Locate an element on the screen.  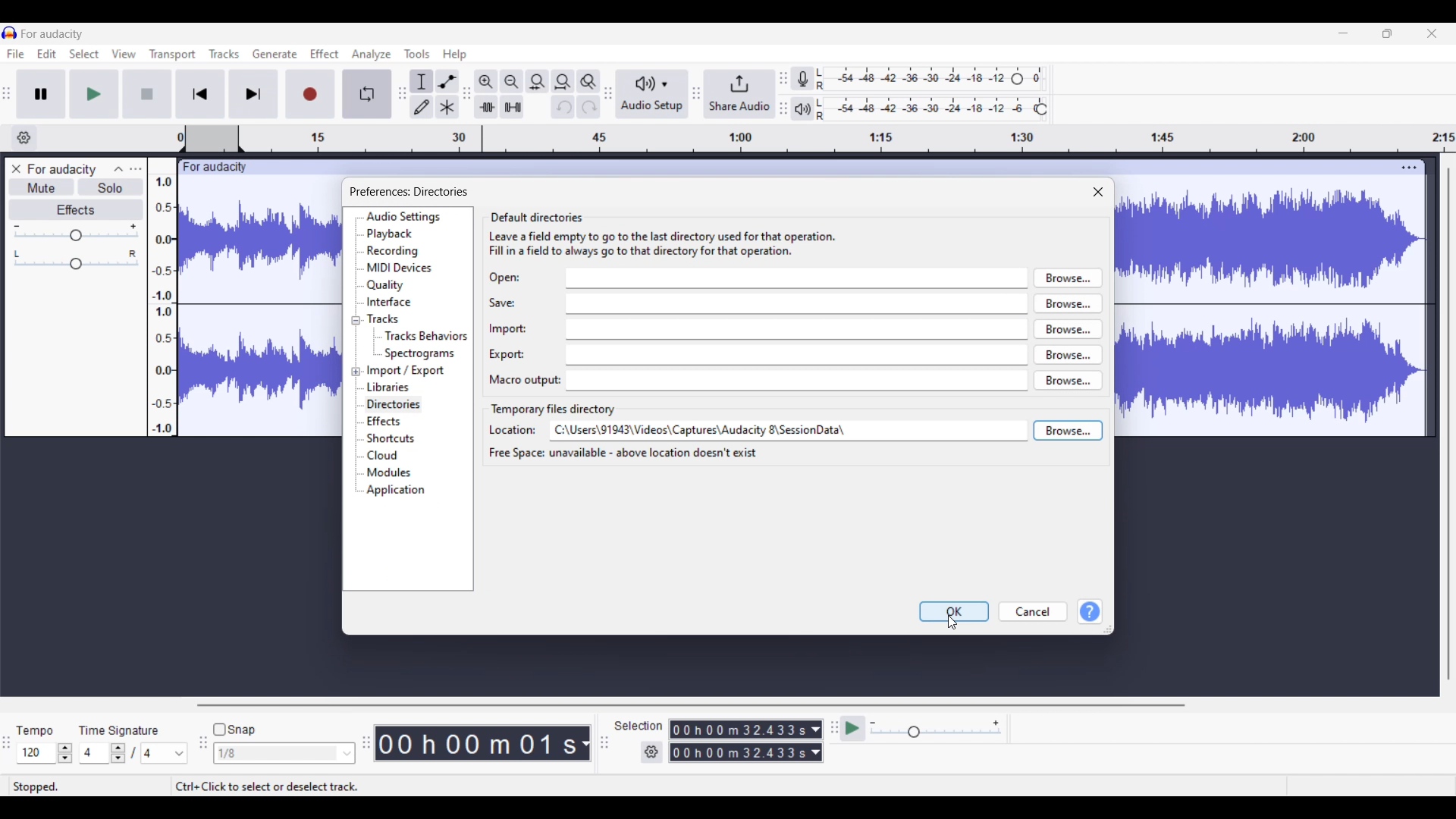
Indicates Tempo settings is located at coordinates (36, 730).